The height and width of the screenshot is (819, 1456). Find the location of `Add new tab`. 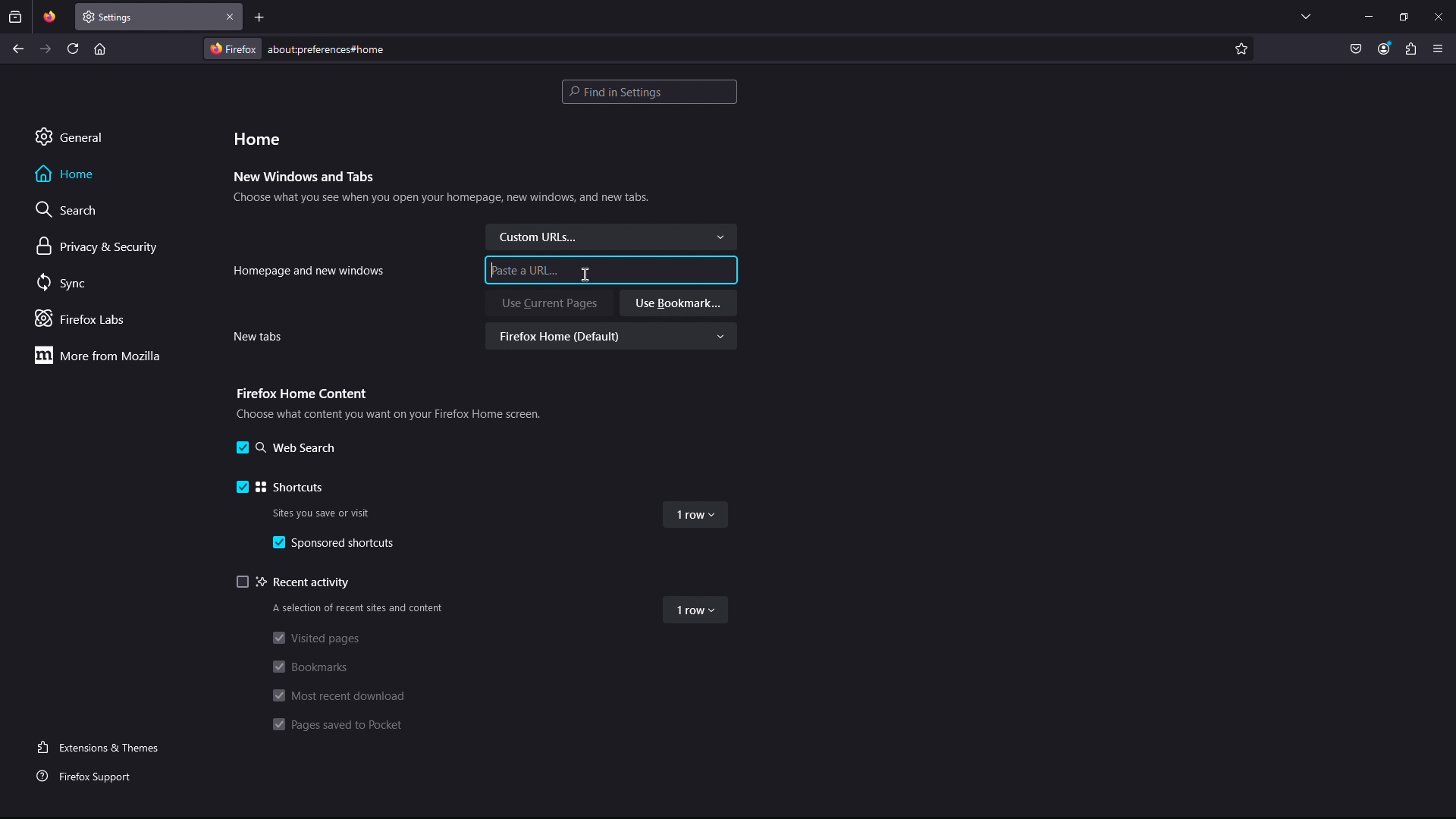

Add new tab is located at coordinates (260, 17).